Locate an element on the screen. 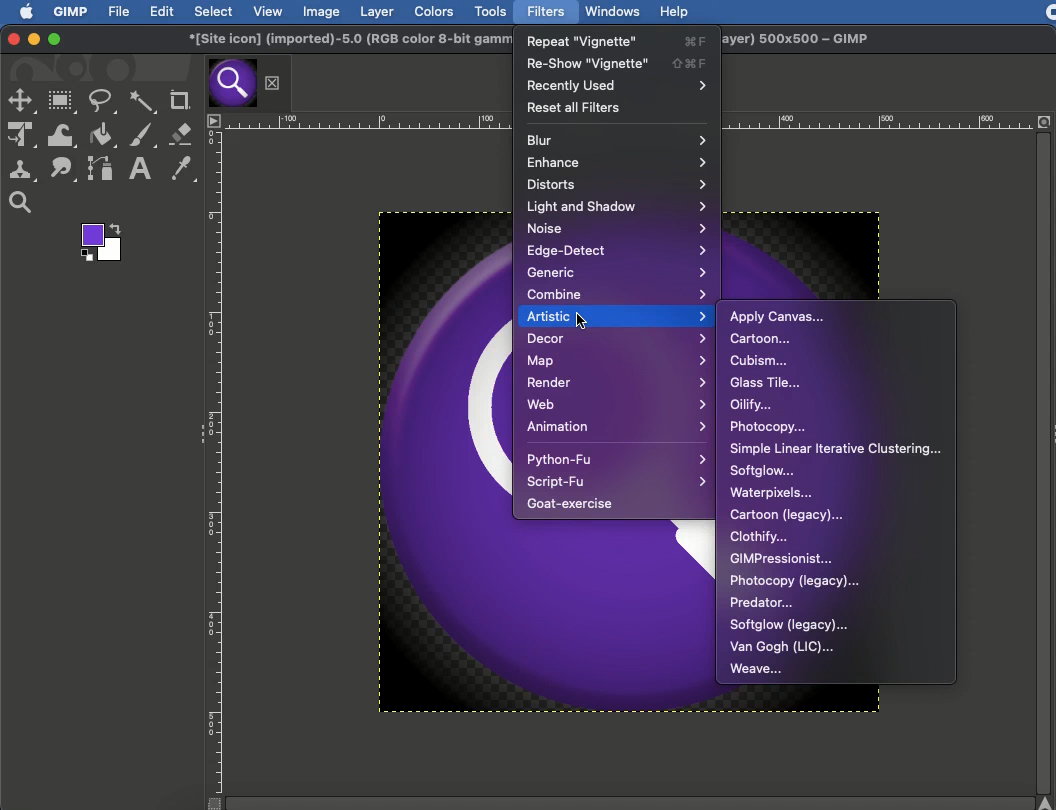 The image size is (1056, 810). Magnify is located at coordinates (19, 204).